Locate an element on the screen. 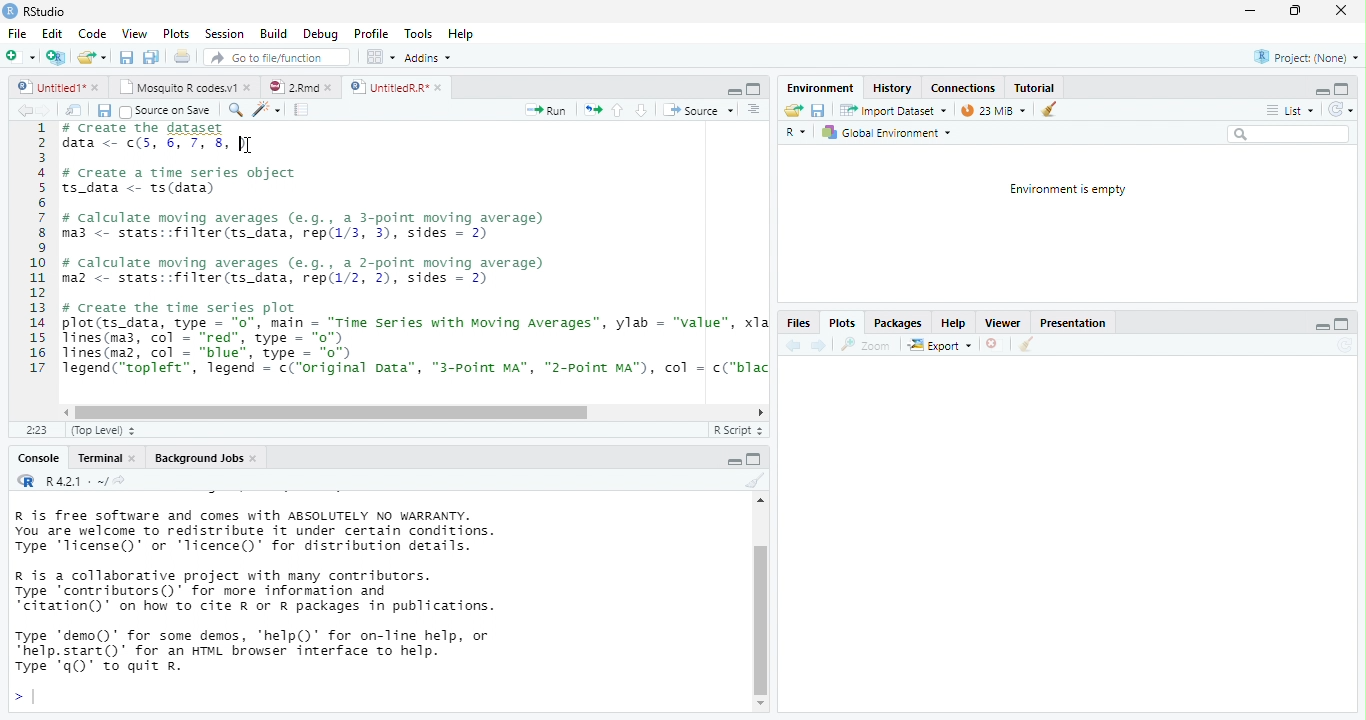  23 MiB is located at coordinates (992, 110).